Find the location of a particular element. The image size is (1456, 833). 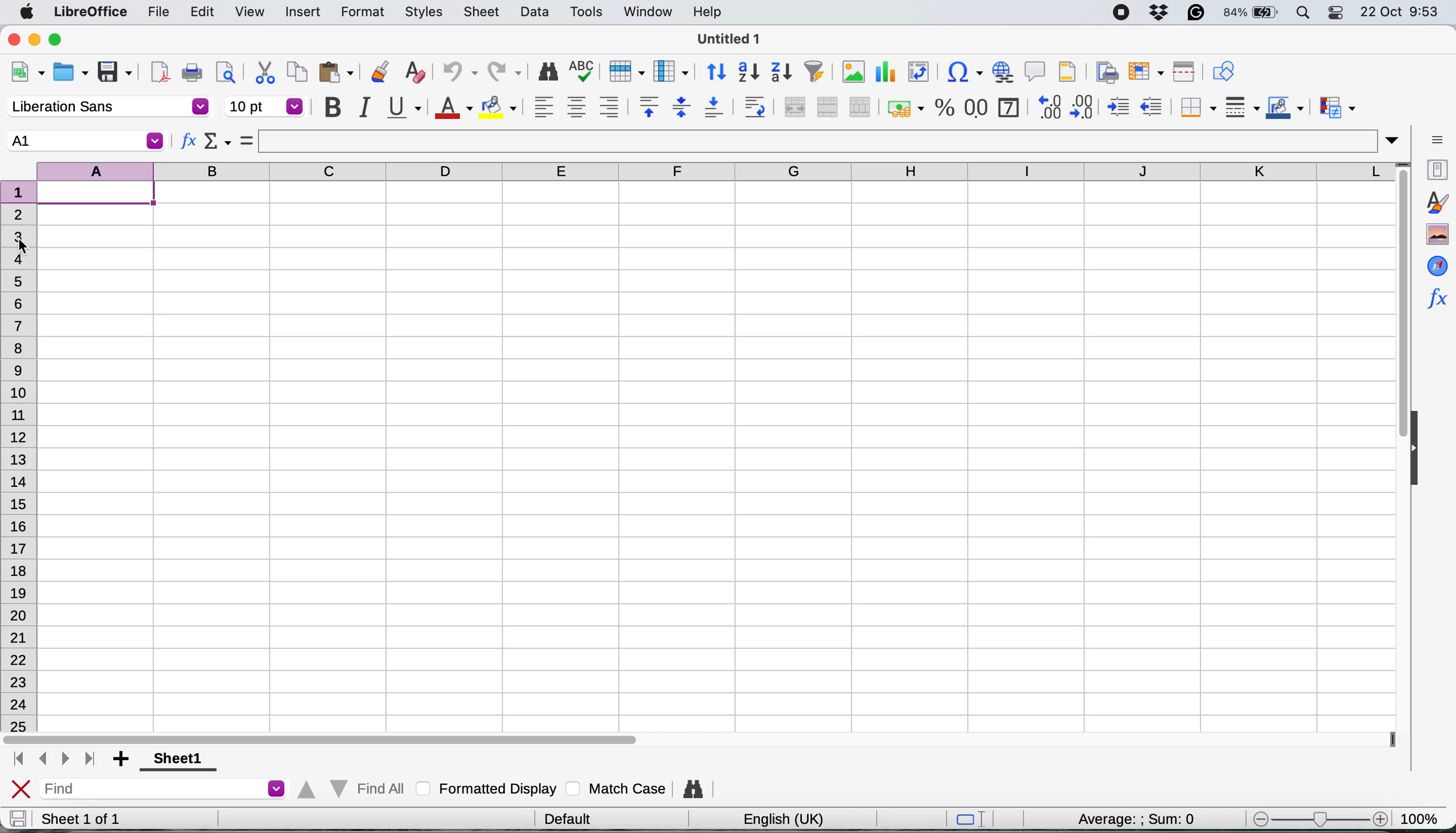

function wizard is located at coordinates (189, 143).